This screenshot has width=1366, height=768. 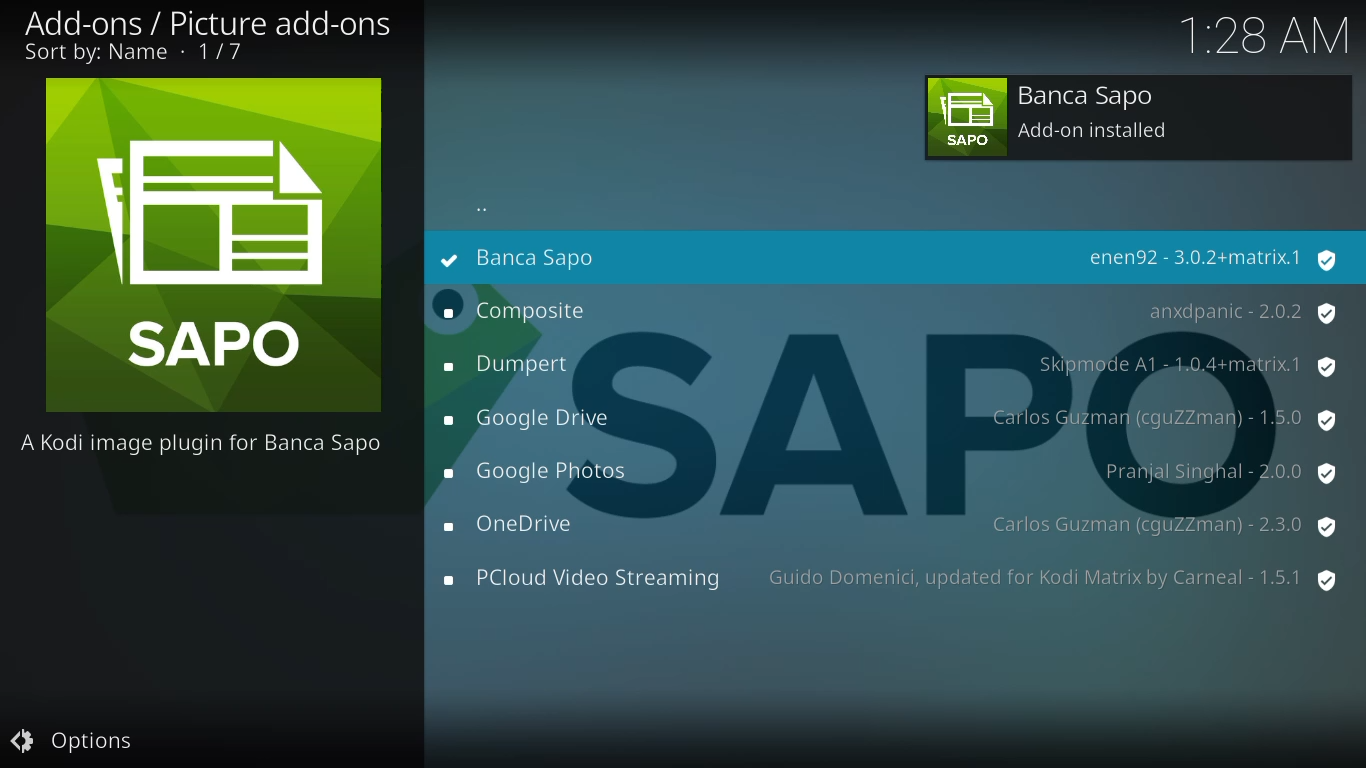 What do you see at coordinates (509, 363) in the screenshot?
I see `dumpert` at bounding box center [509, 363].